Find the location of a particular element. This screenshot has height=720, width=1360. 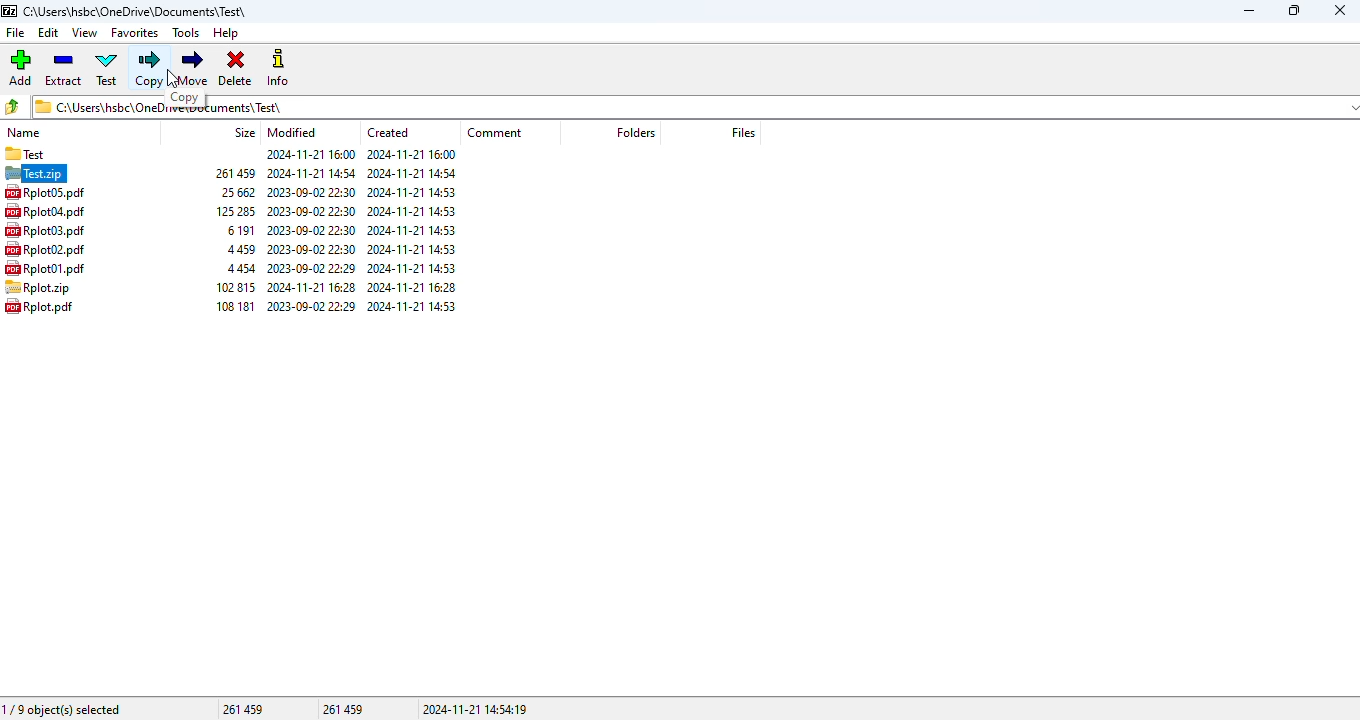

tools is located at coordinates (184, 33).